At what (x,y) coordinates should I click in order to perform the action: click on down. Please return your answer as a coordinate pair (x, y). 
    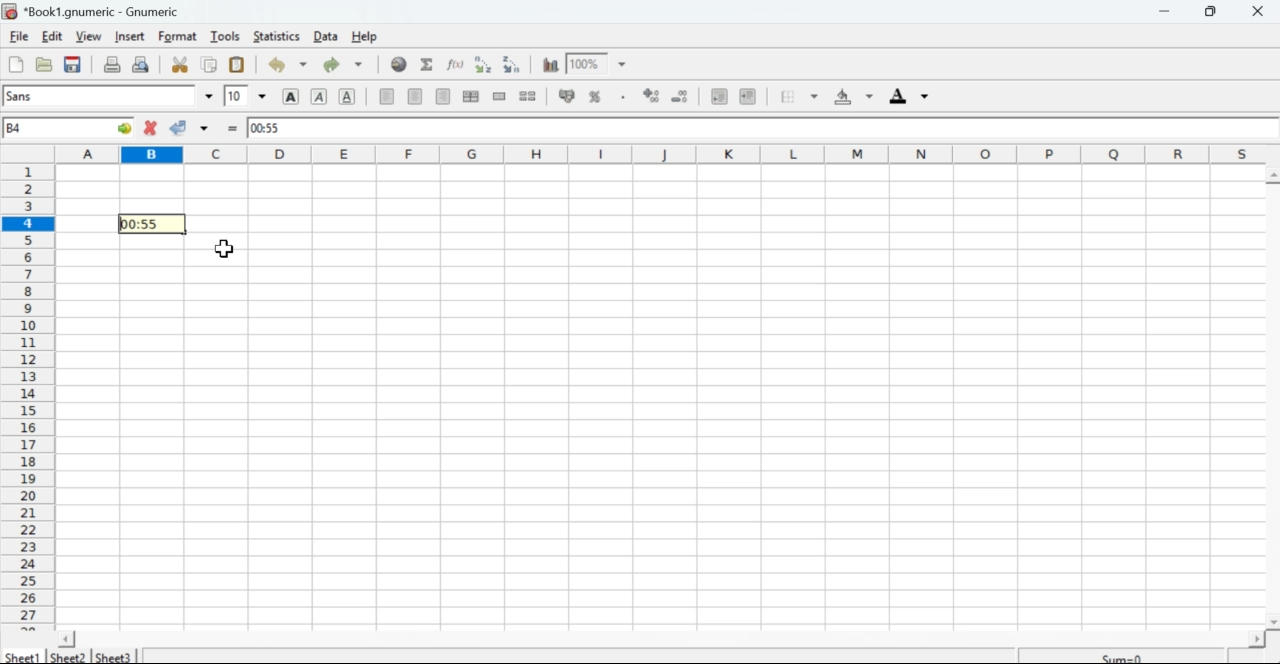
    Looking at the image, I should click on (359, 65).